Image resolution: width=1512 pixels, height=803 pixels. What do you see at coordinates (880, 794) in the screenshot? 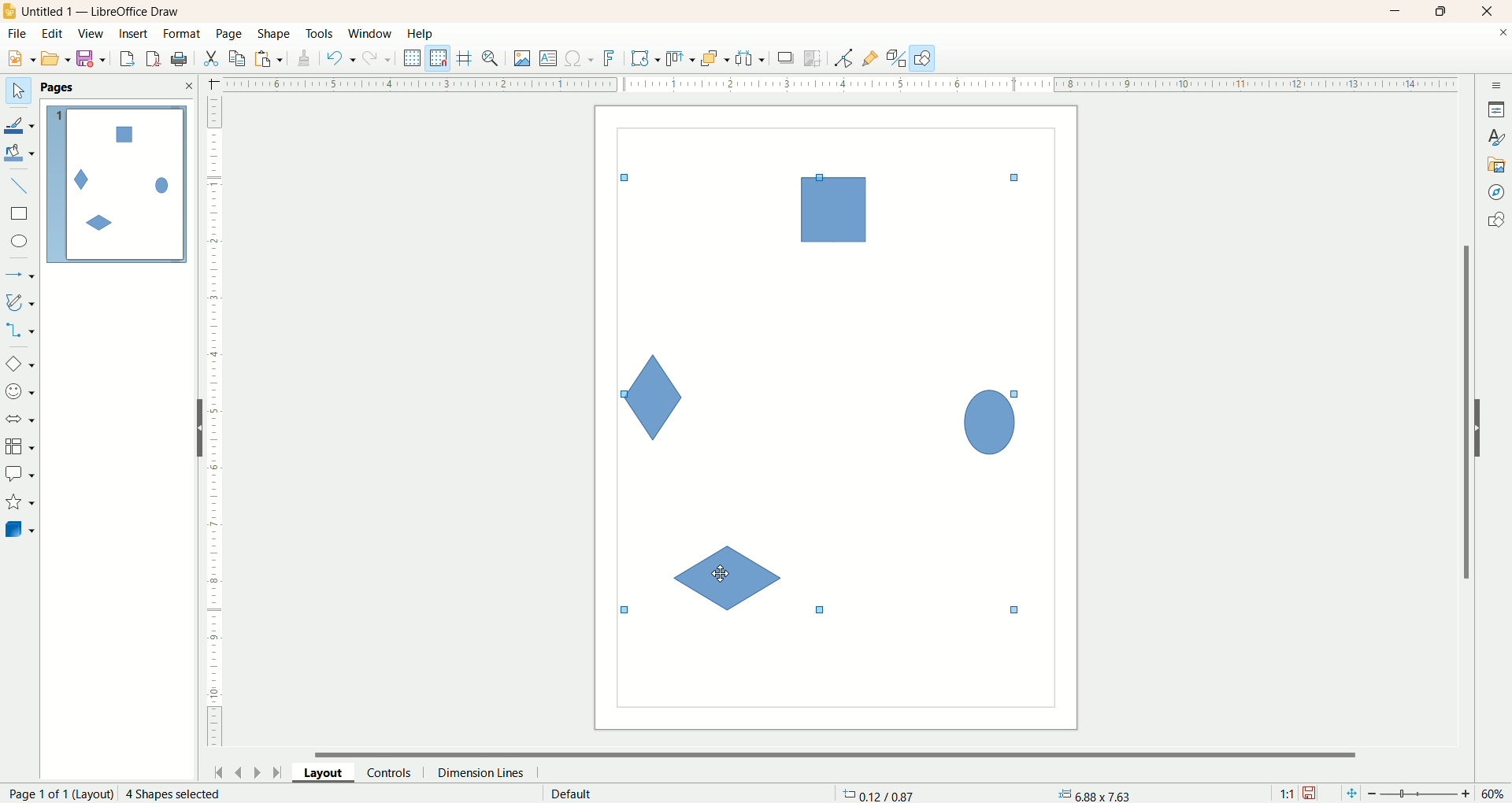
I see `coordinates` at bounding box center [880, 794].